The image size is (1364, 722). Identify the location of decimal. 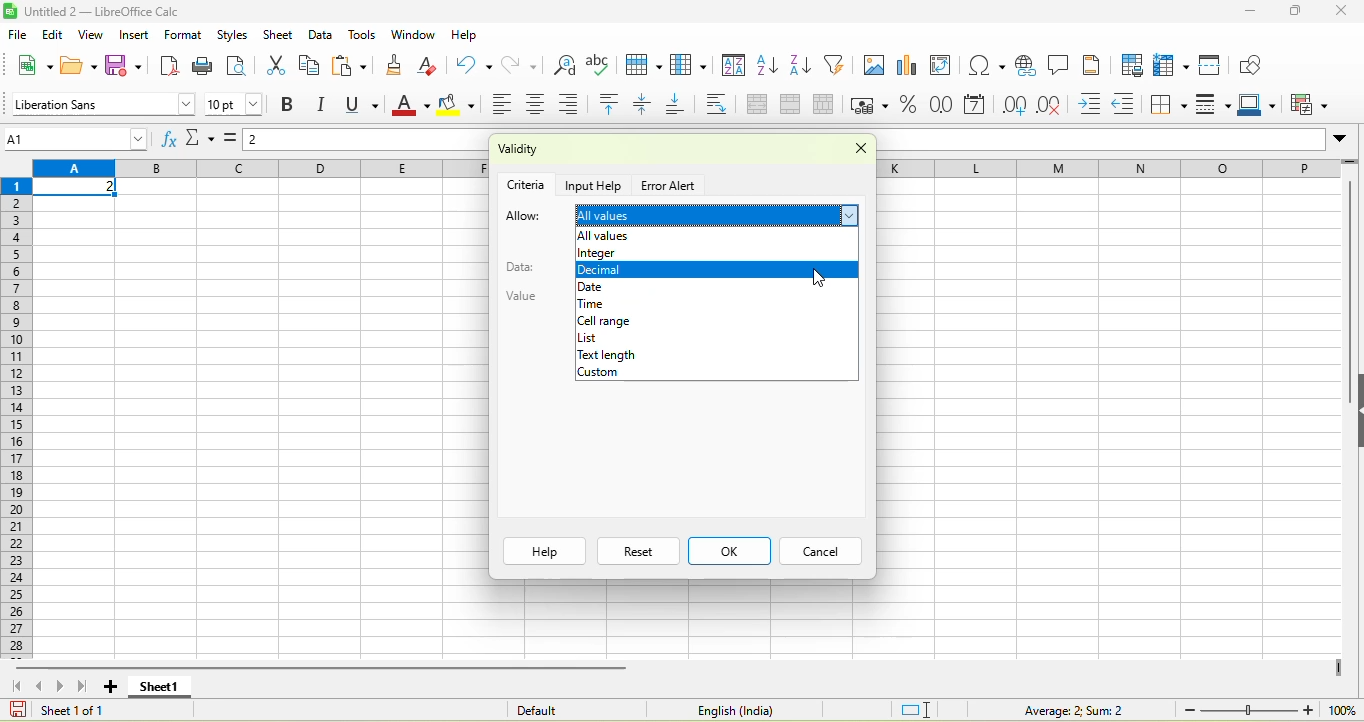
(715, 269).